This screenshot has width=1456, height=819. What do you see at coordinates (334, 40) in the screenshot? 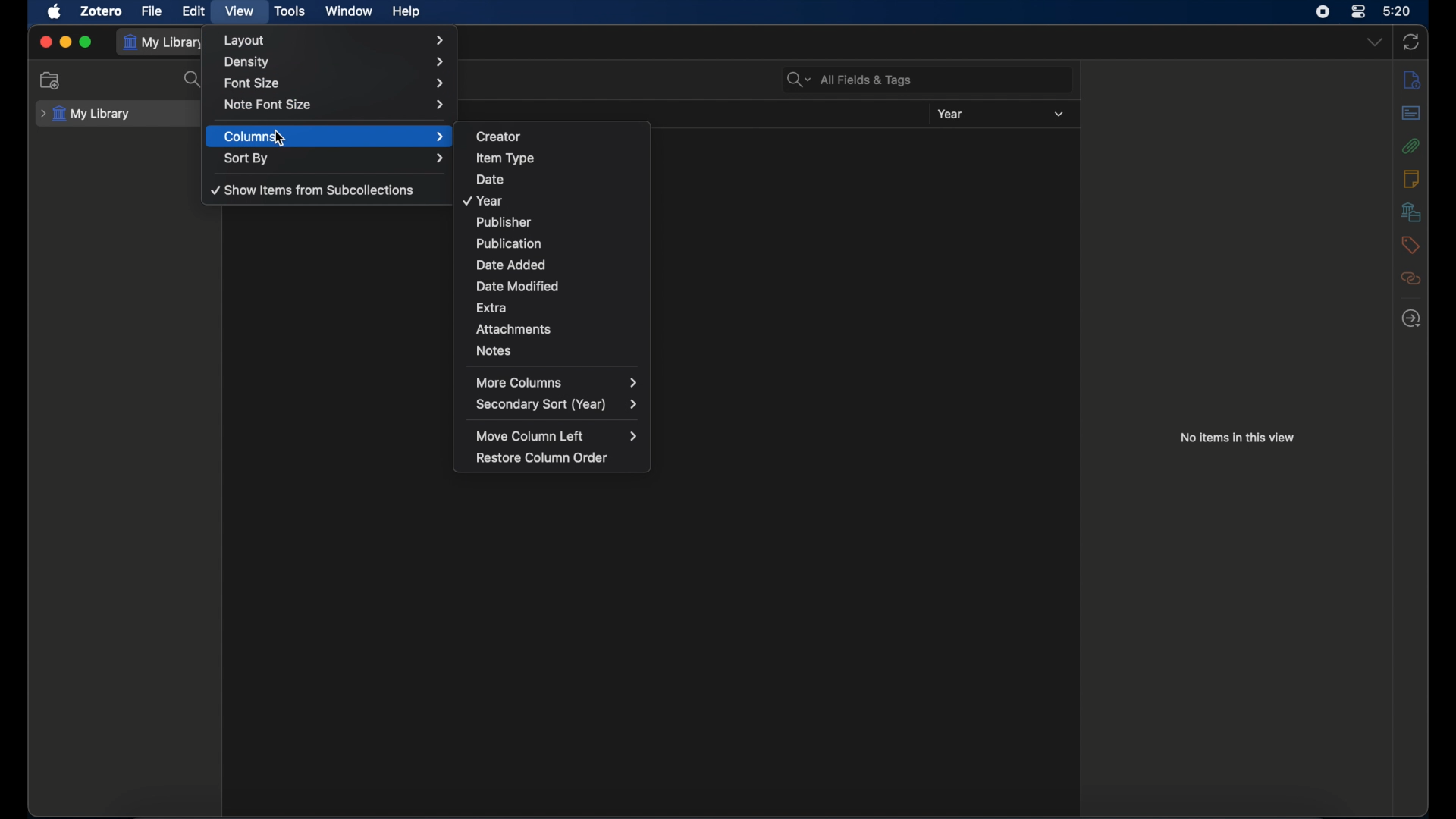
I see `layout` at bounding box center [334, 40].